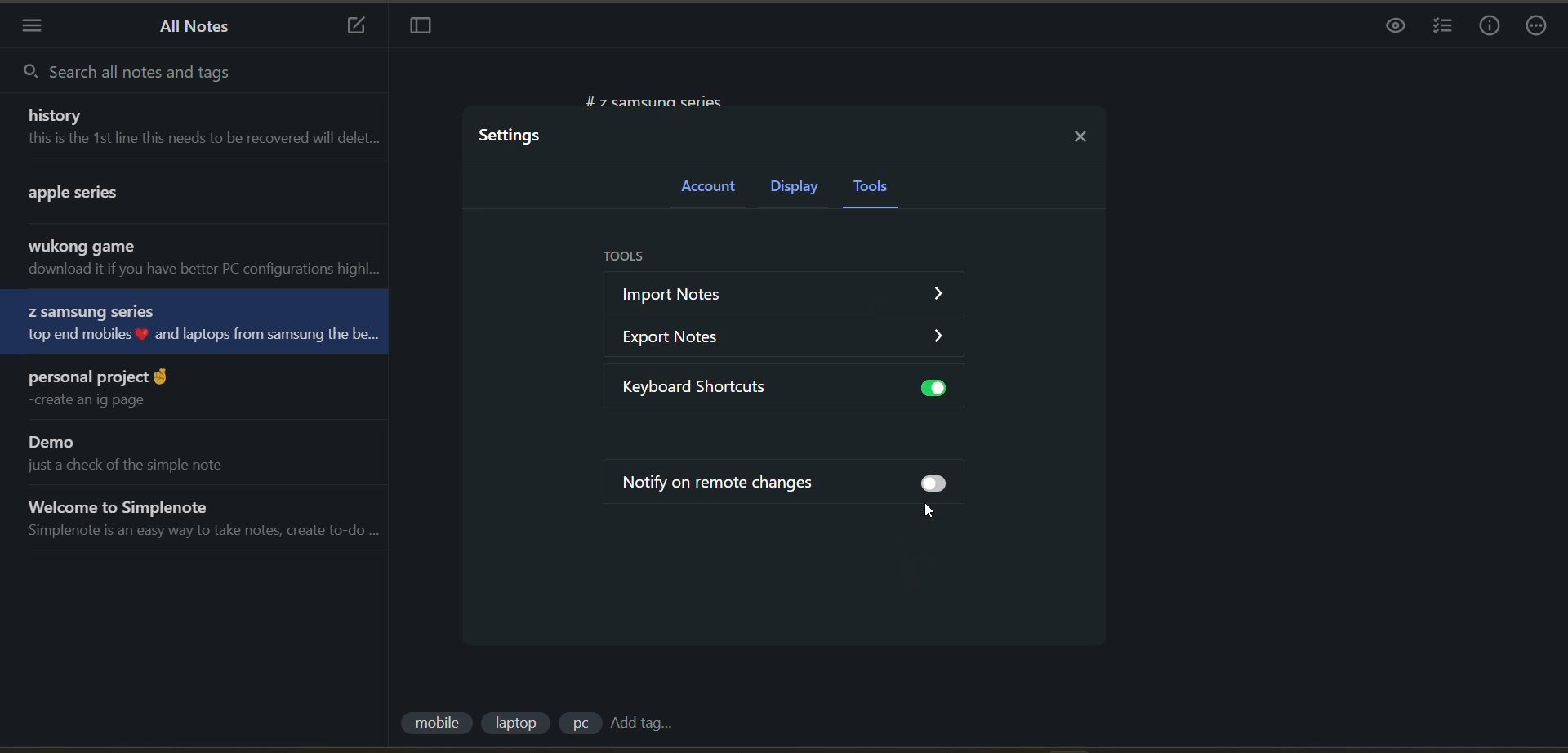 This screenshot has width=1568, height=753. Describe the element at coordinates (204, 130) in the screenshot. I see `note title and preview` at that location.